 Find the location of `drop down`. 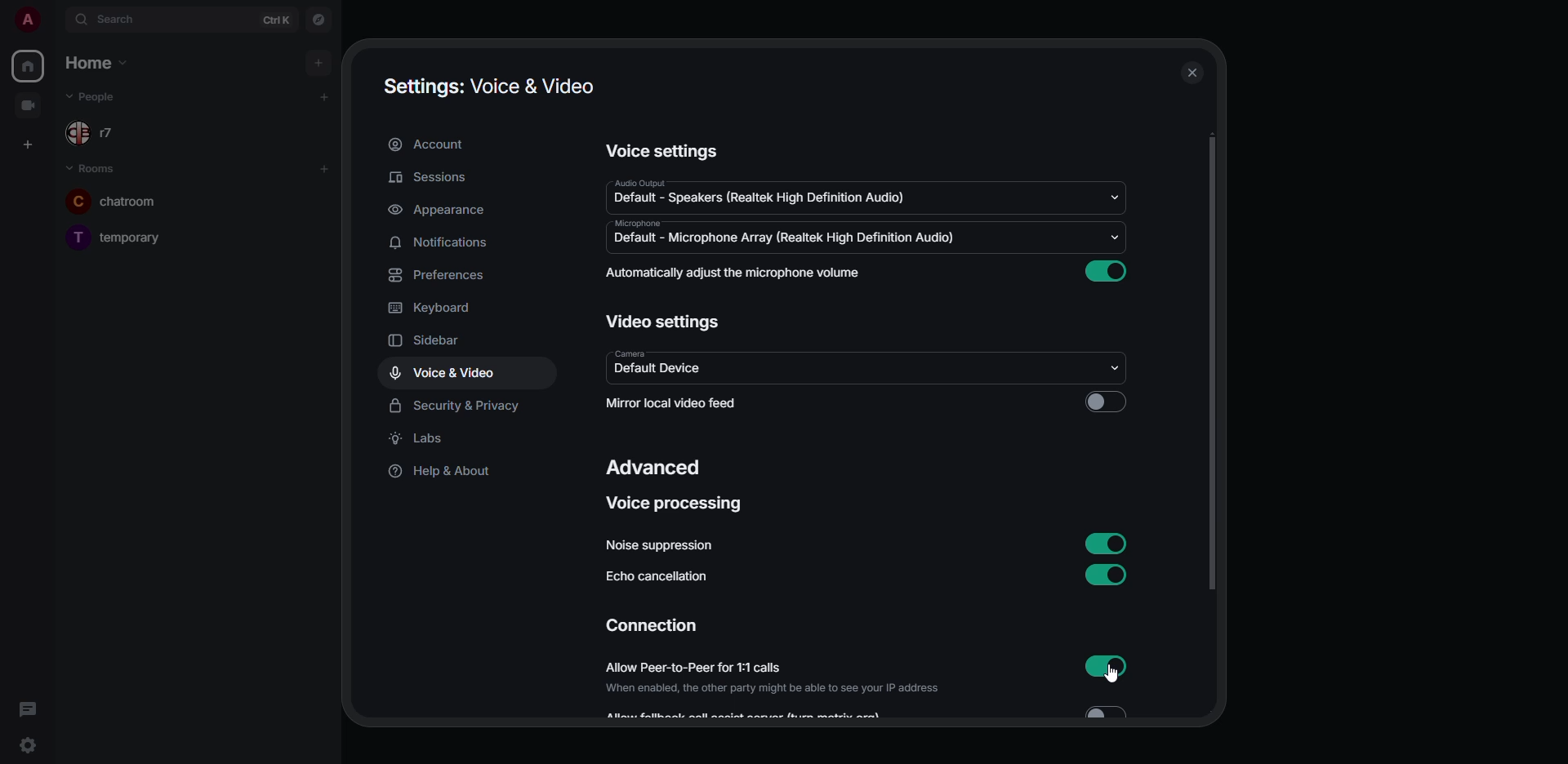

drop down is located at coordinates (1111, 371).